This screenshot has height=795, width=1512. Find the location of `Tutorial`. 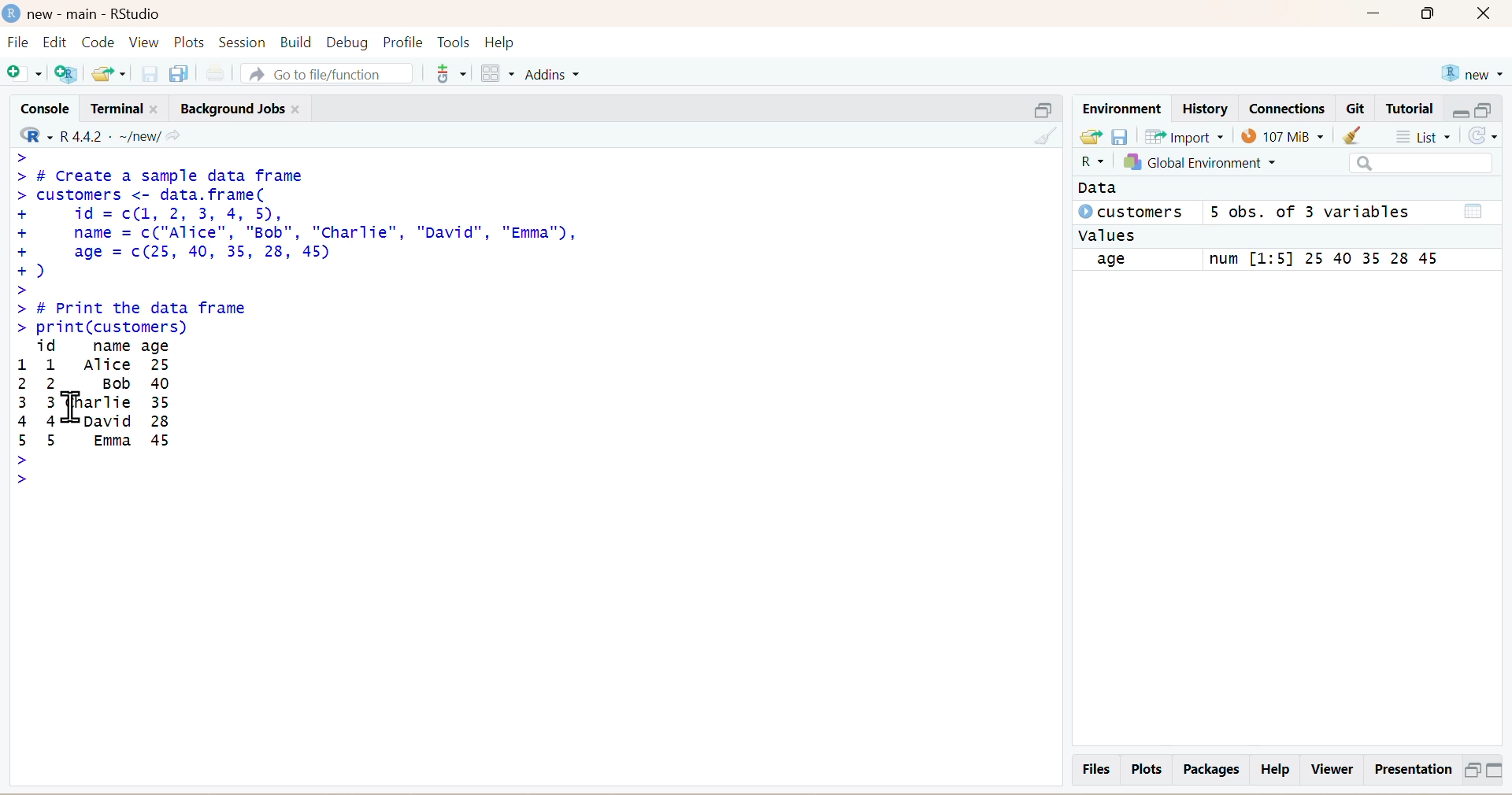

Tutorial is located at coordinates (1412, 109).